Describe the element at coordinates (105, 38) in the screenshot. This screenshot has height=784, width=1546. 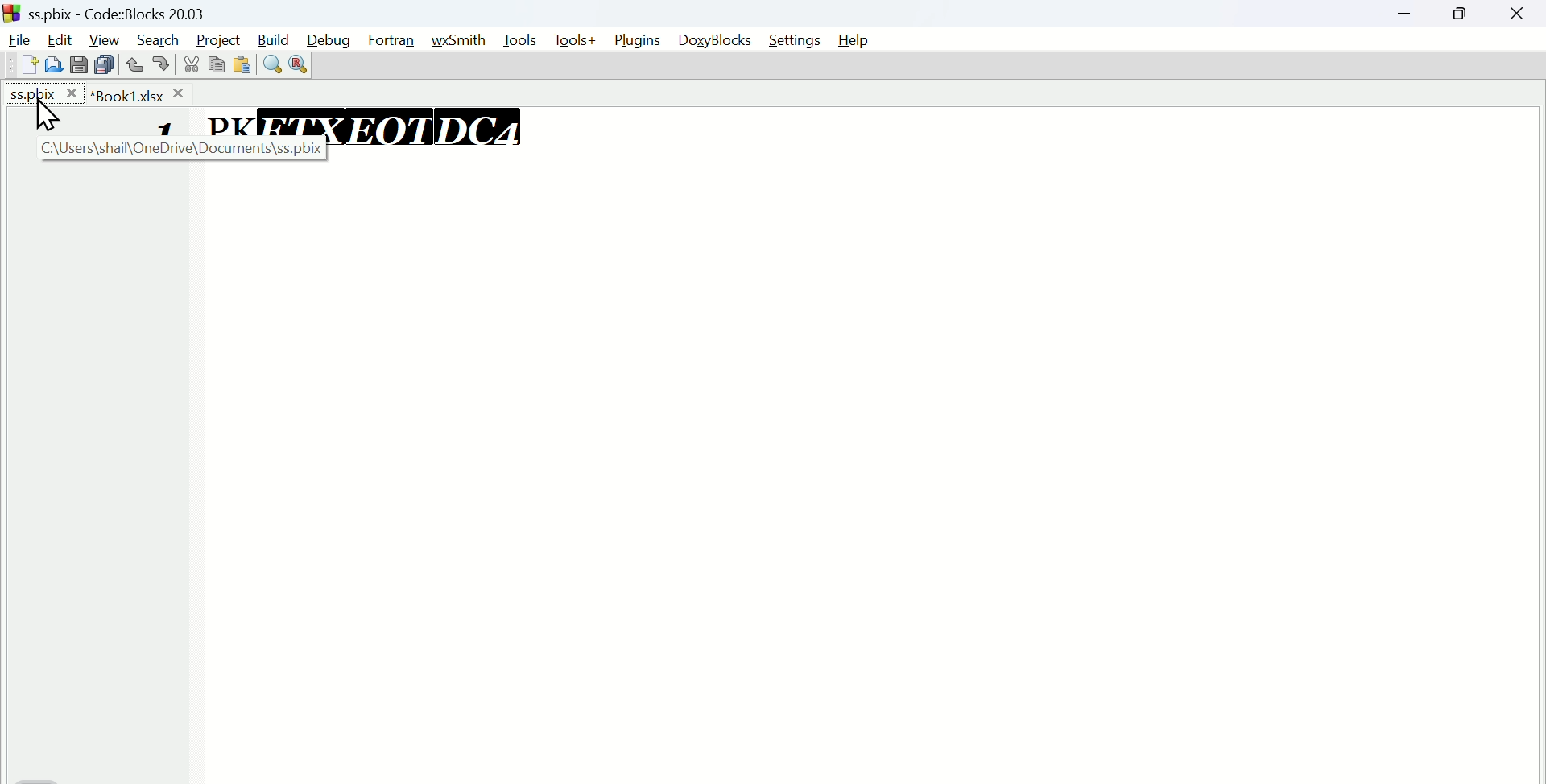
I see `View` at that location.